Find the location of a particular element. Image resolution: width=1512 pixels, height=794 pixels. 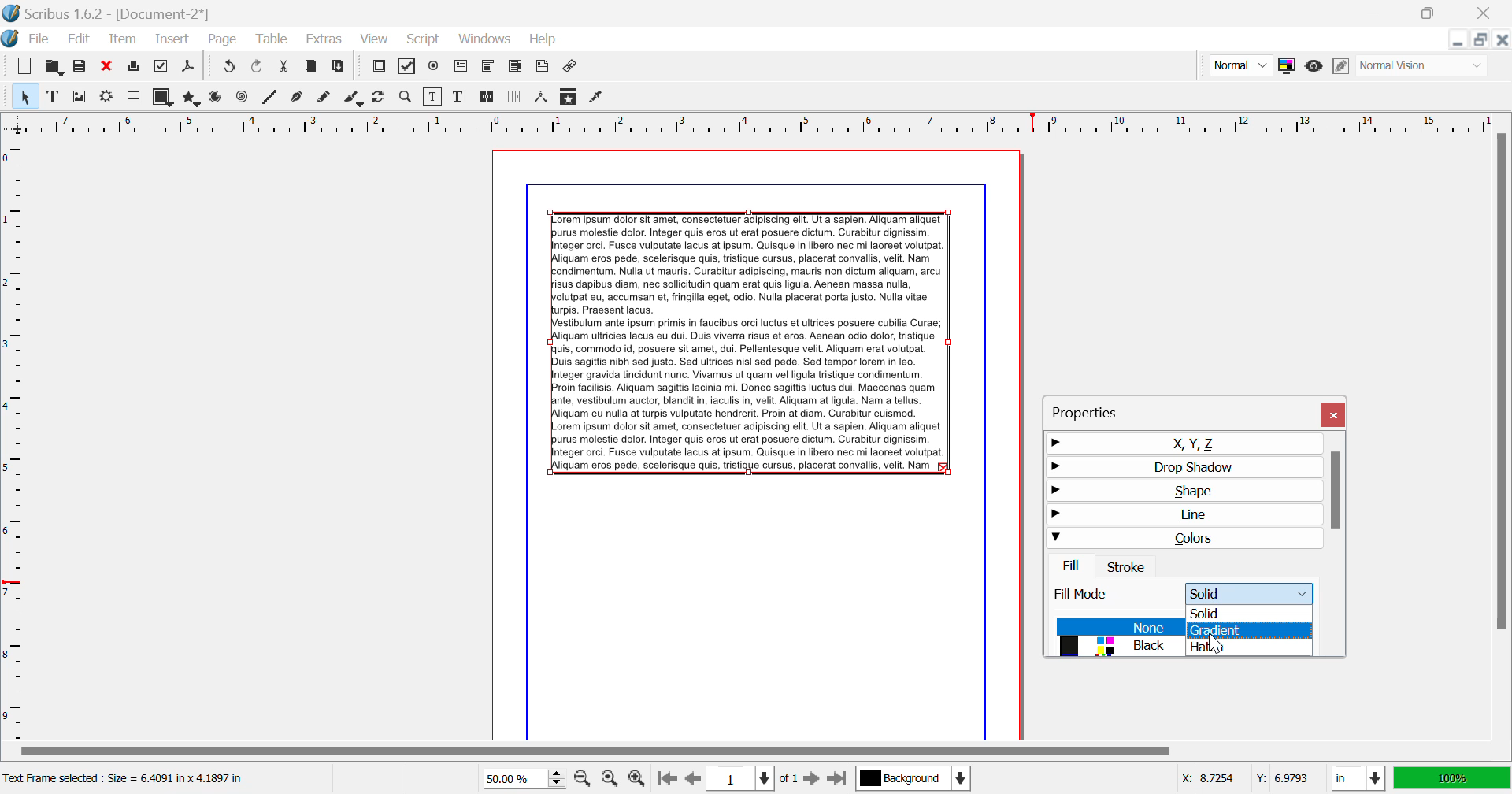

Bezier Curve is located at coordinates (298, 98).